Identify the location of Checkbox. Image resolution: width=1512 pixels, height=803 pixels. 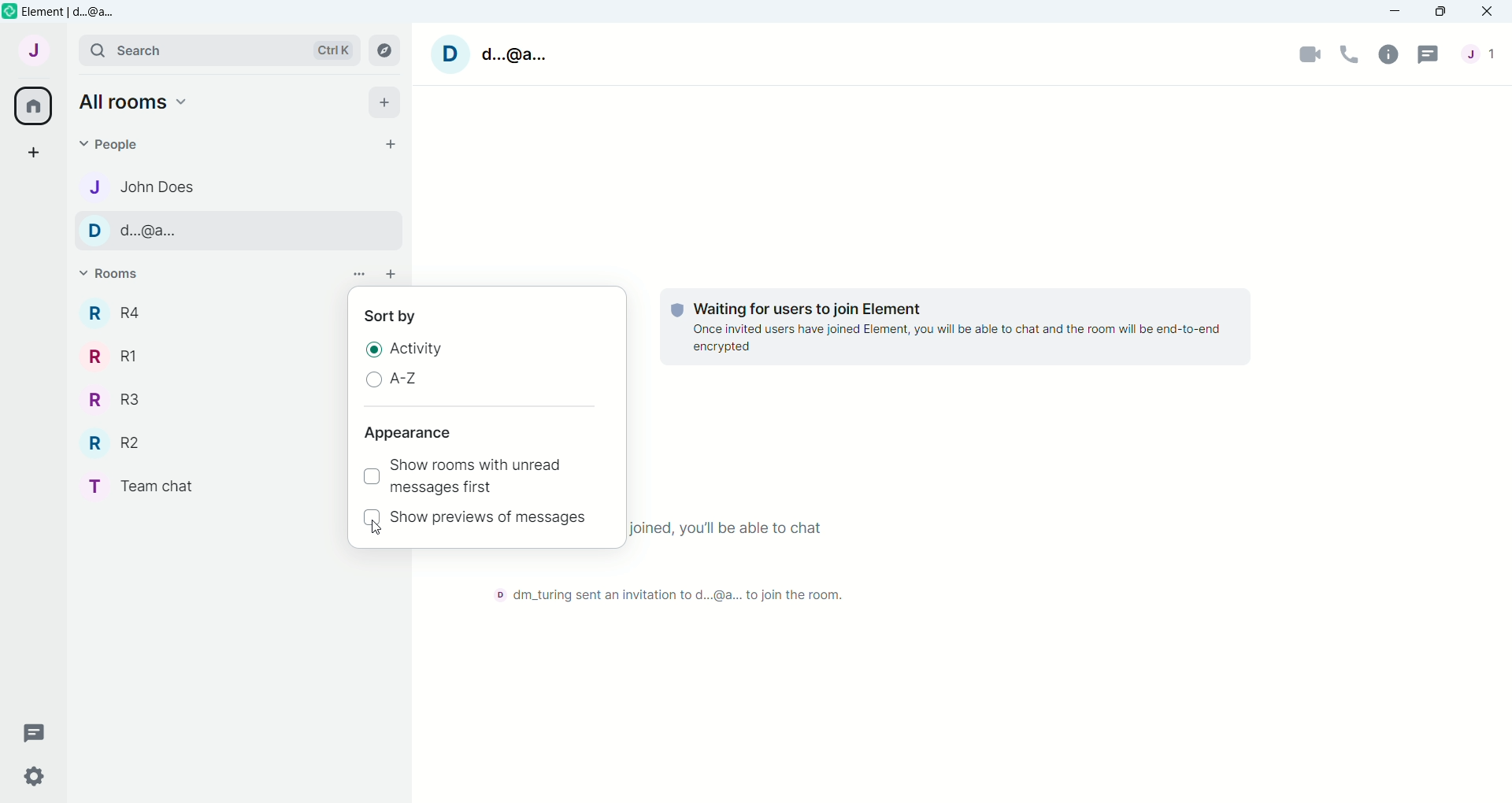
(371, 520).